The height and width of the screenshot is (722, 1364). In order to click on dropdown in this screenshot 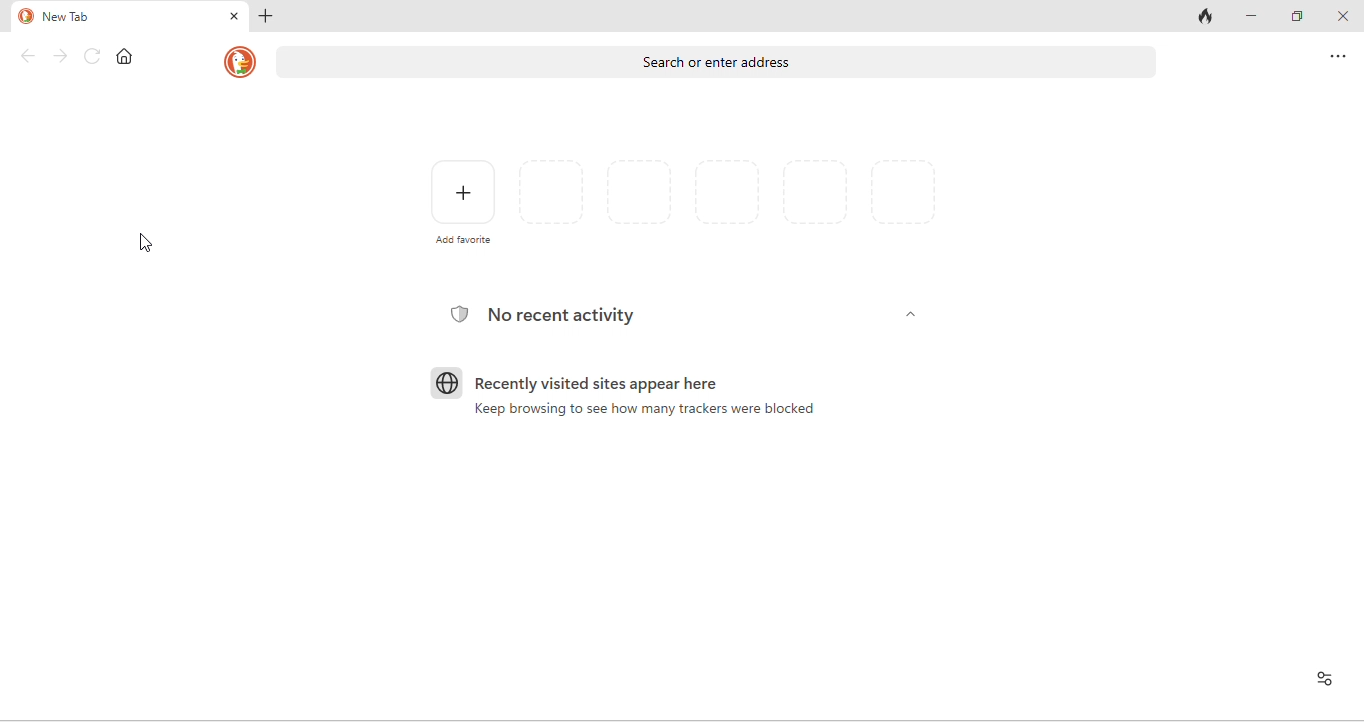, I will do `click(910, 317)`.